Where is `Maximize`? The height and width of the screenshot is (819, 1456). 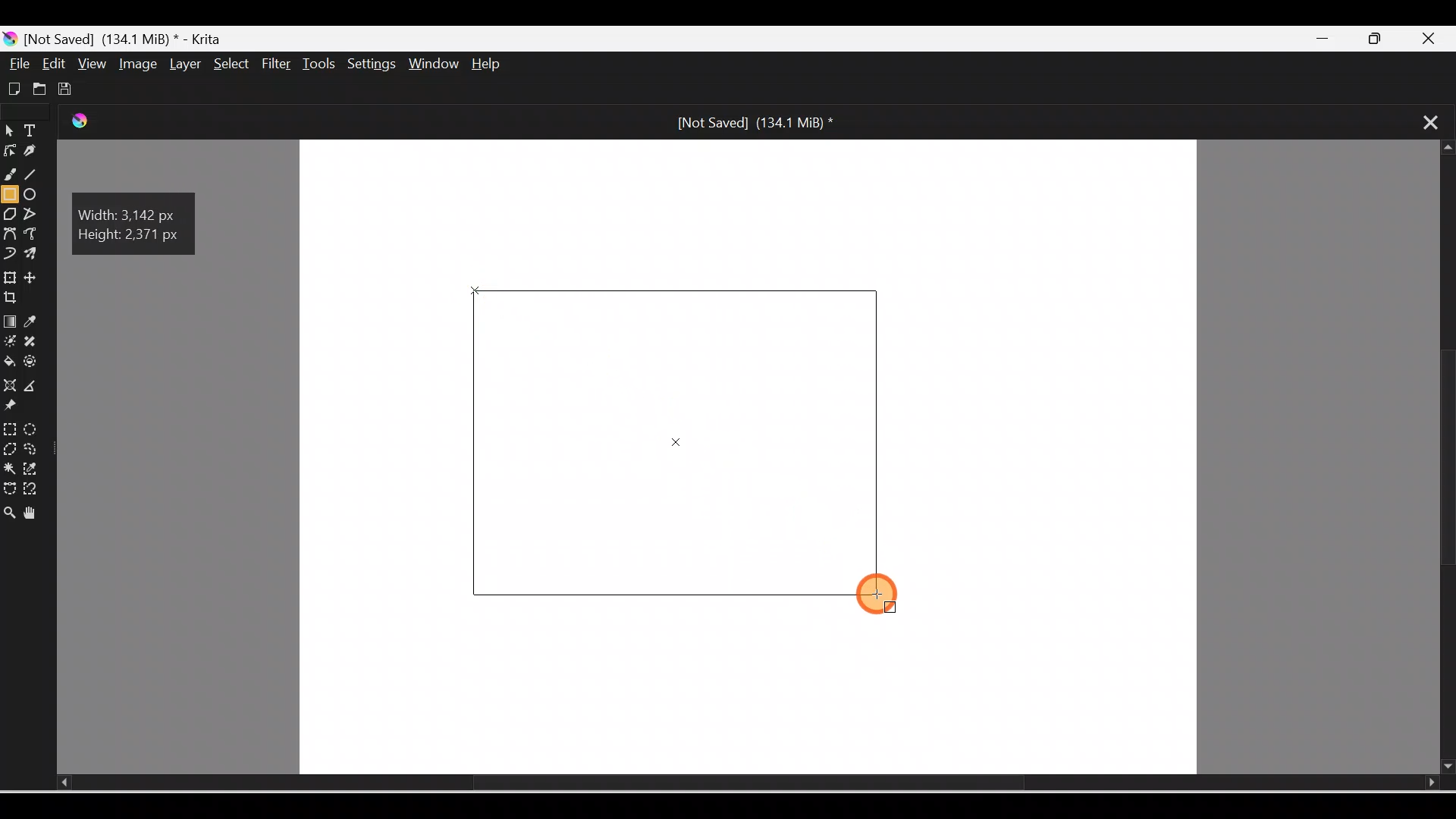 Maximize is located at coordinates (1384, 39).